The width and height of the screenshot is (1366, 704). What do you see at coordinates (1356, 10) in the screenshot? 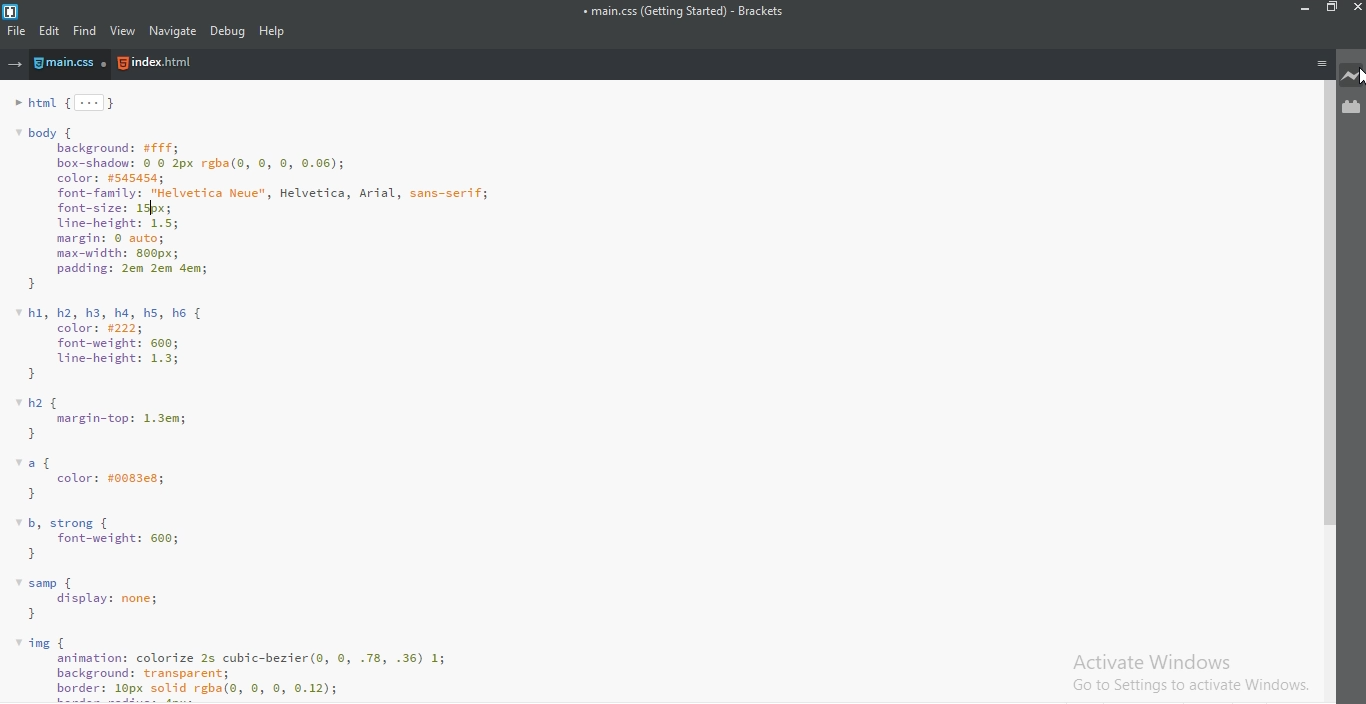
I see `close` at bounding box center [1356, 10].